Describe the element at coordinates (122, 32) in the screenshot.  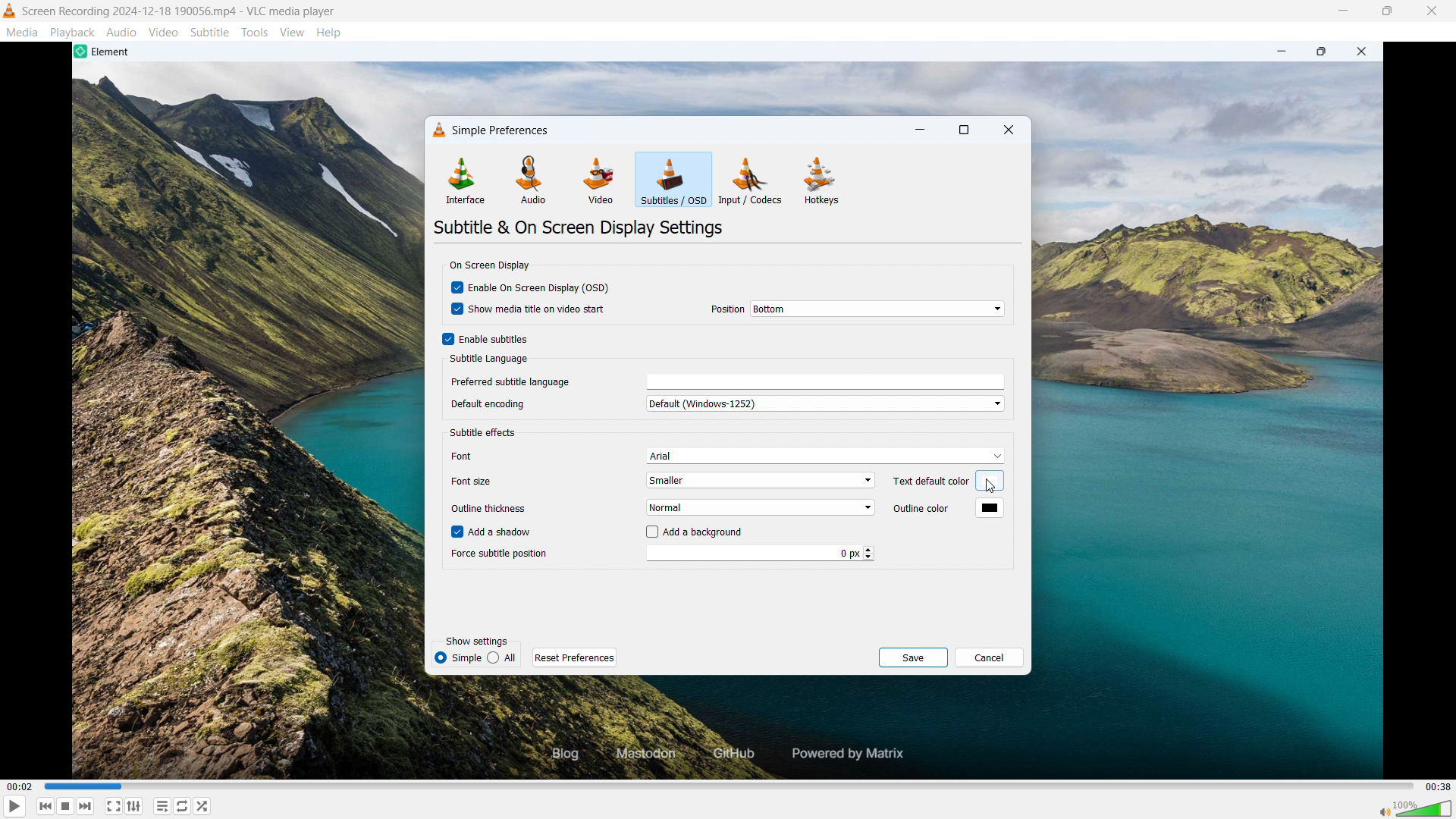
I see `Audio ` at that location.